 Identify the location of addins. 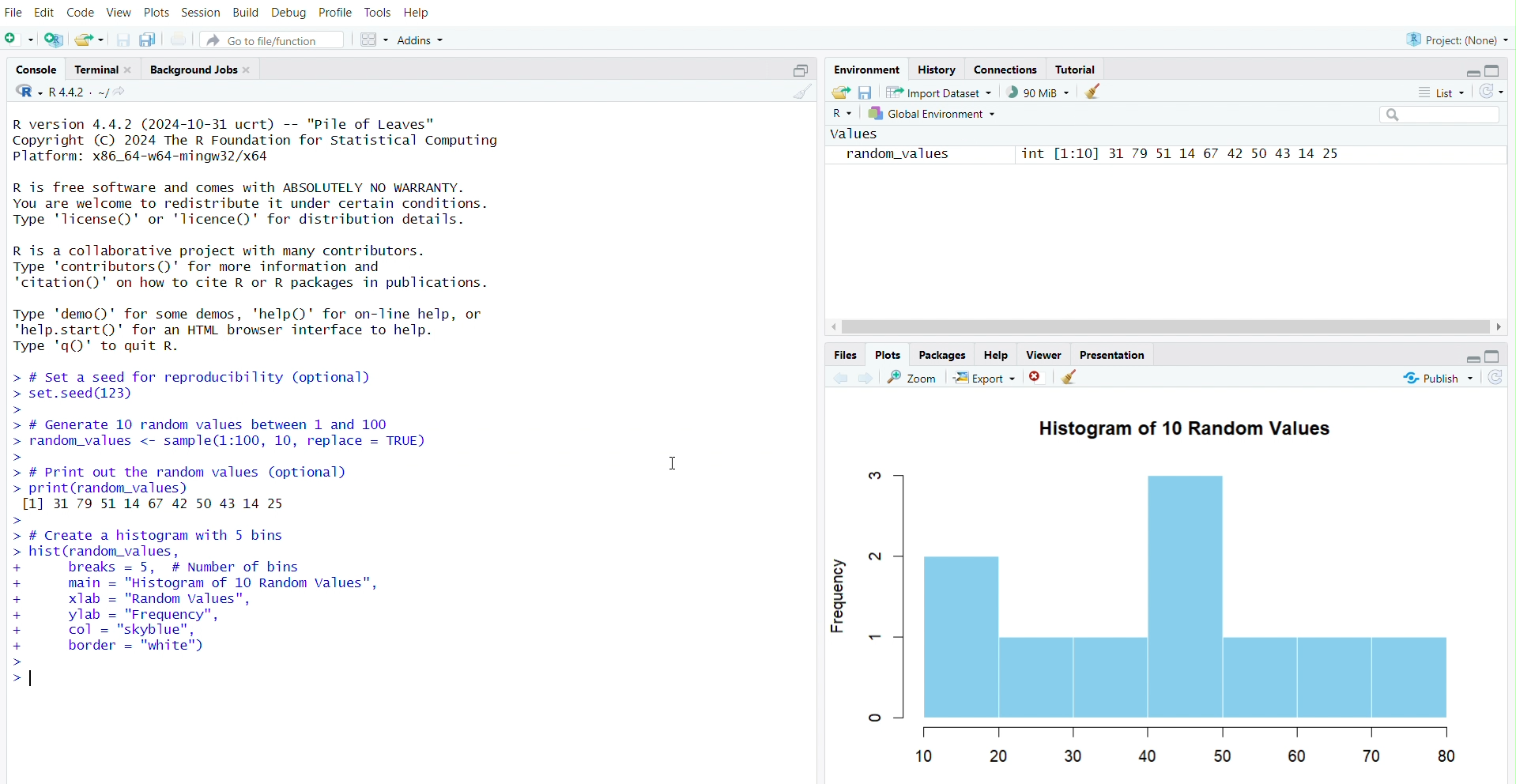
(424, 38).